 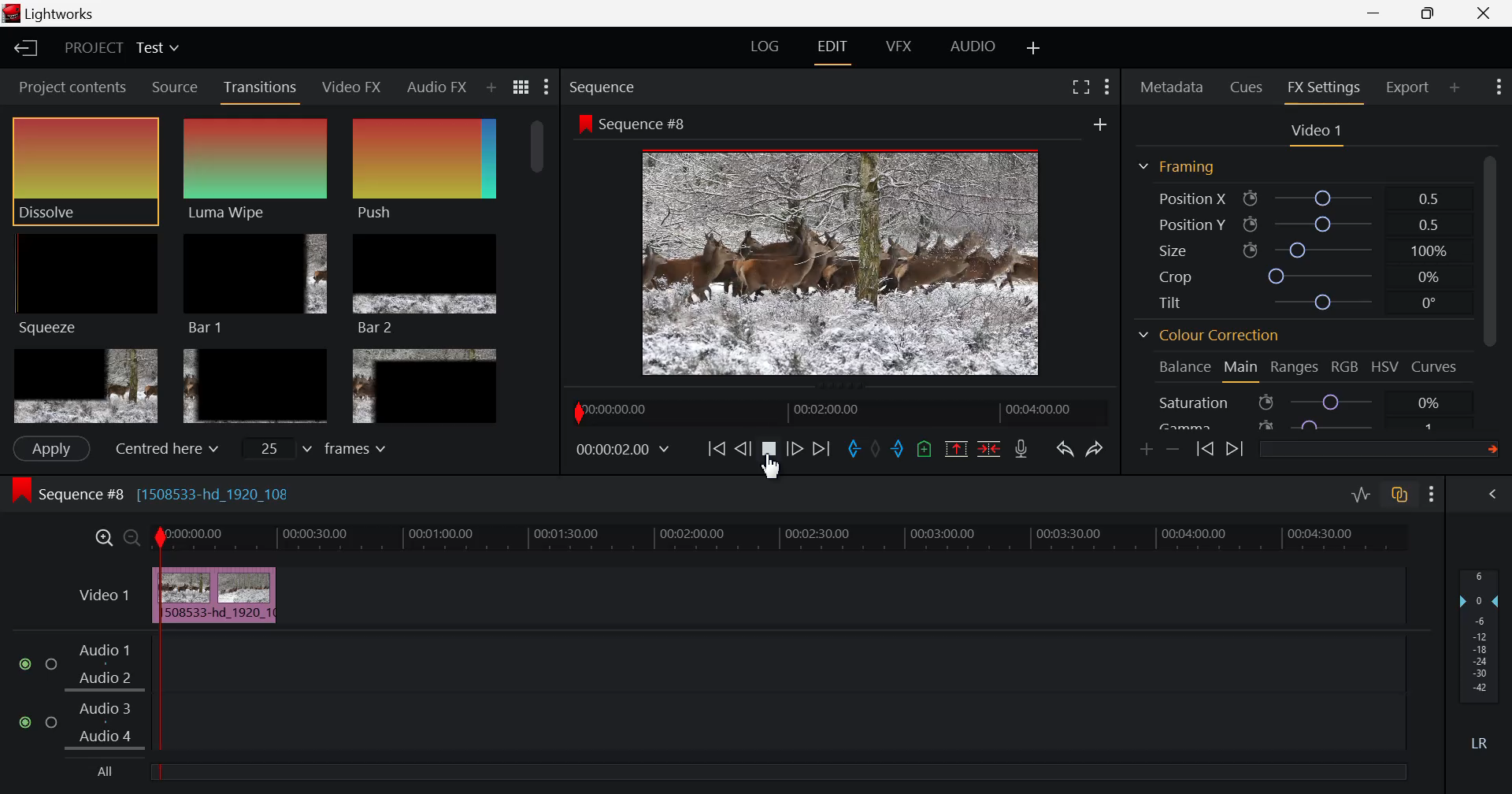 What do you see at coordinates (84, 283) in the screenshot?
I see `Squeeze` at bounding box center [84, 283].